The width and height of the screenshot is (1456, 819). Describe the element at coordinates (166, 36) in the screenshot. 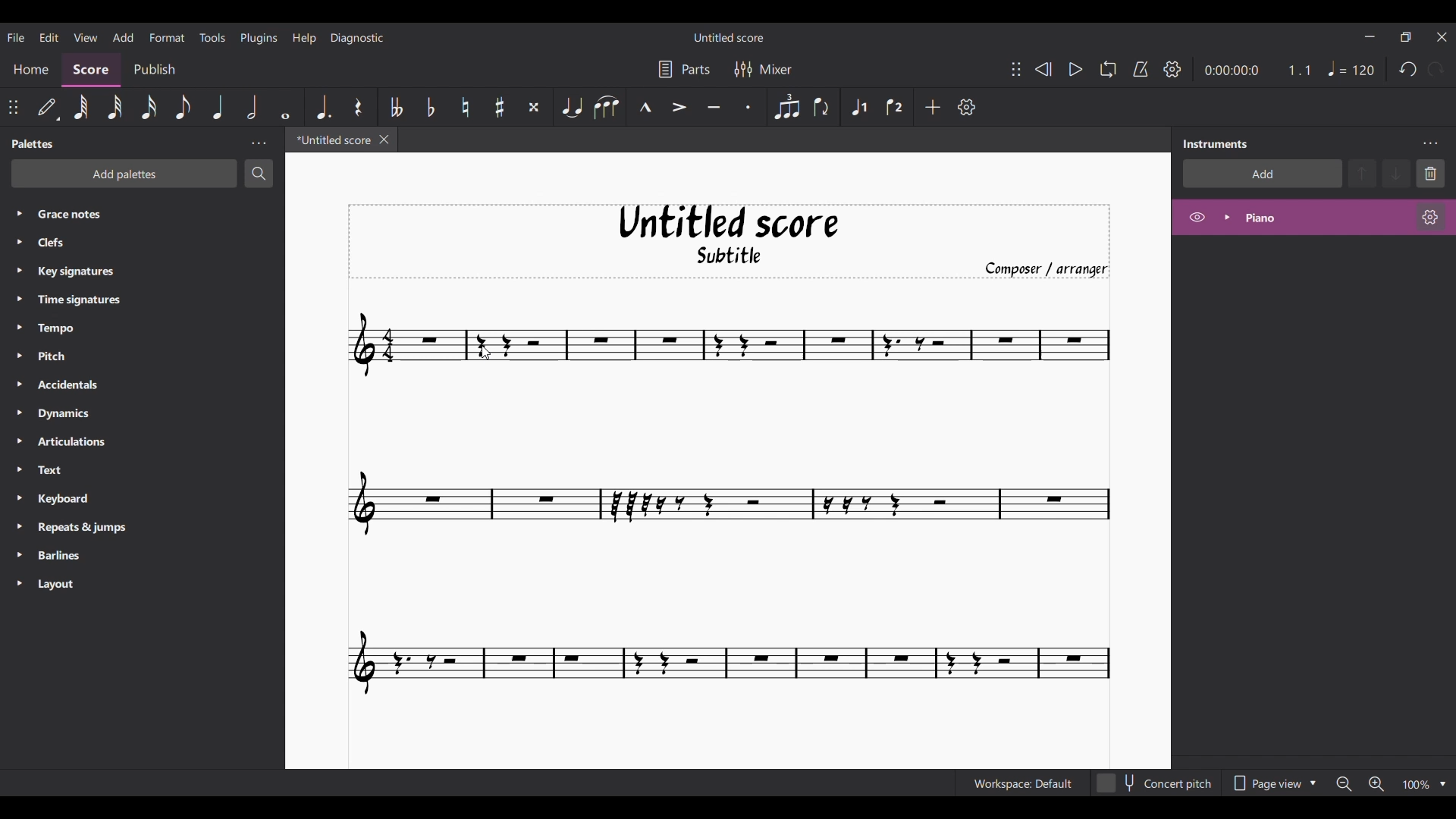

I see `Format menu` at that location.